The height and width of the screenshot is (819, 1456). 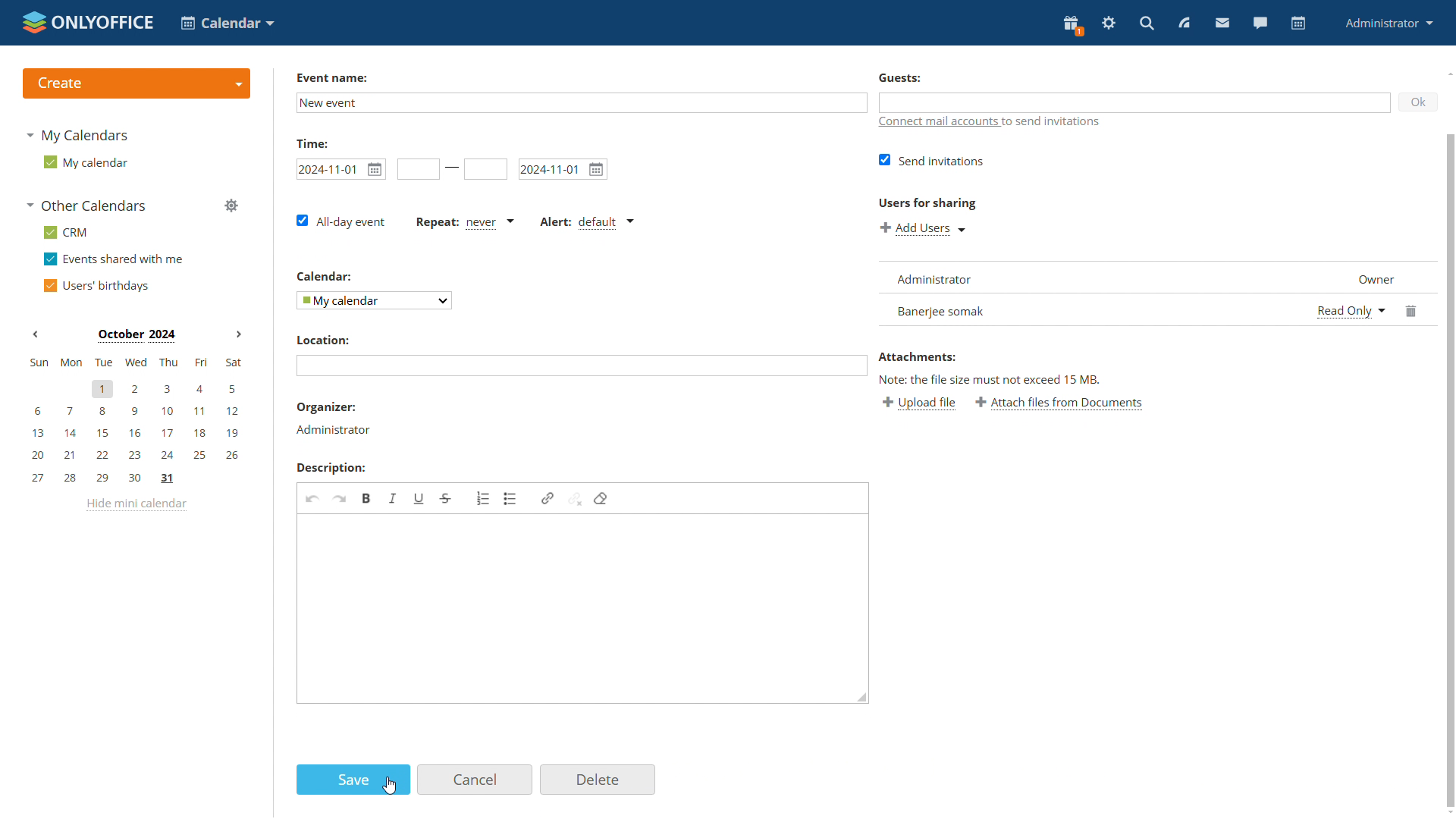 I want to click on Guests, so click(x=899, y=77).